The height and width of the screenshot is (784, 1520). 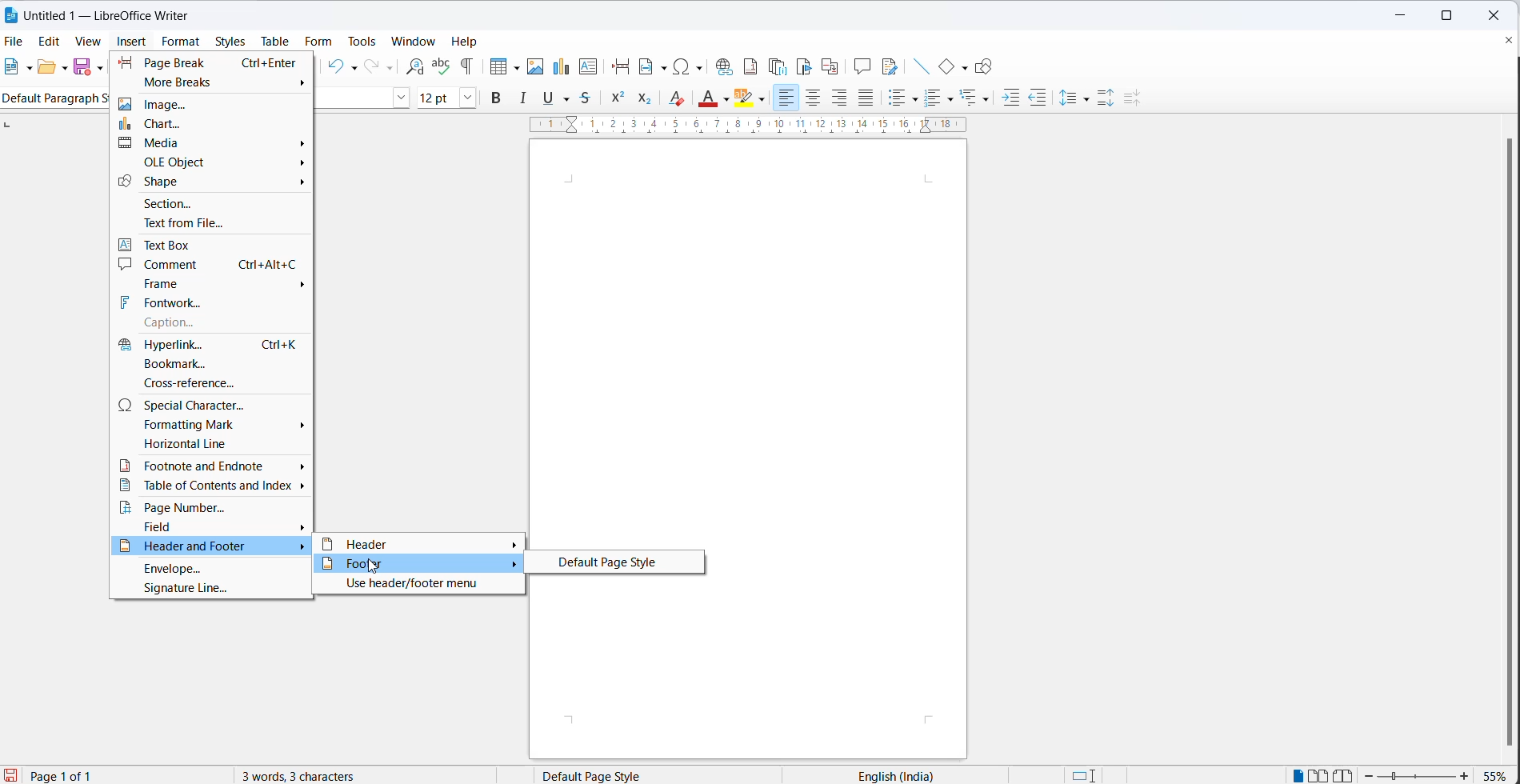 I want to click on scaling, so click(x=752, y=126).